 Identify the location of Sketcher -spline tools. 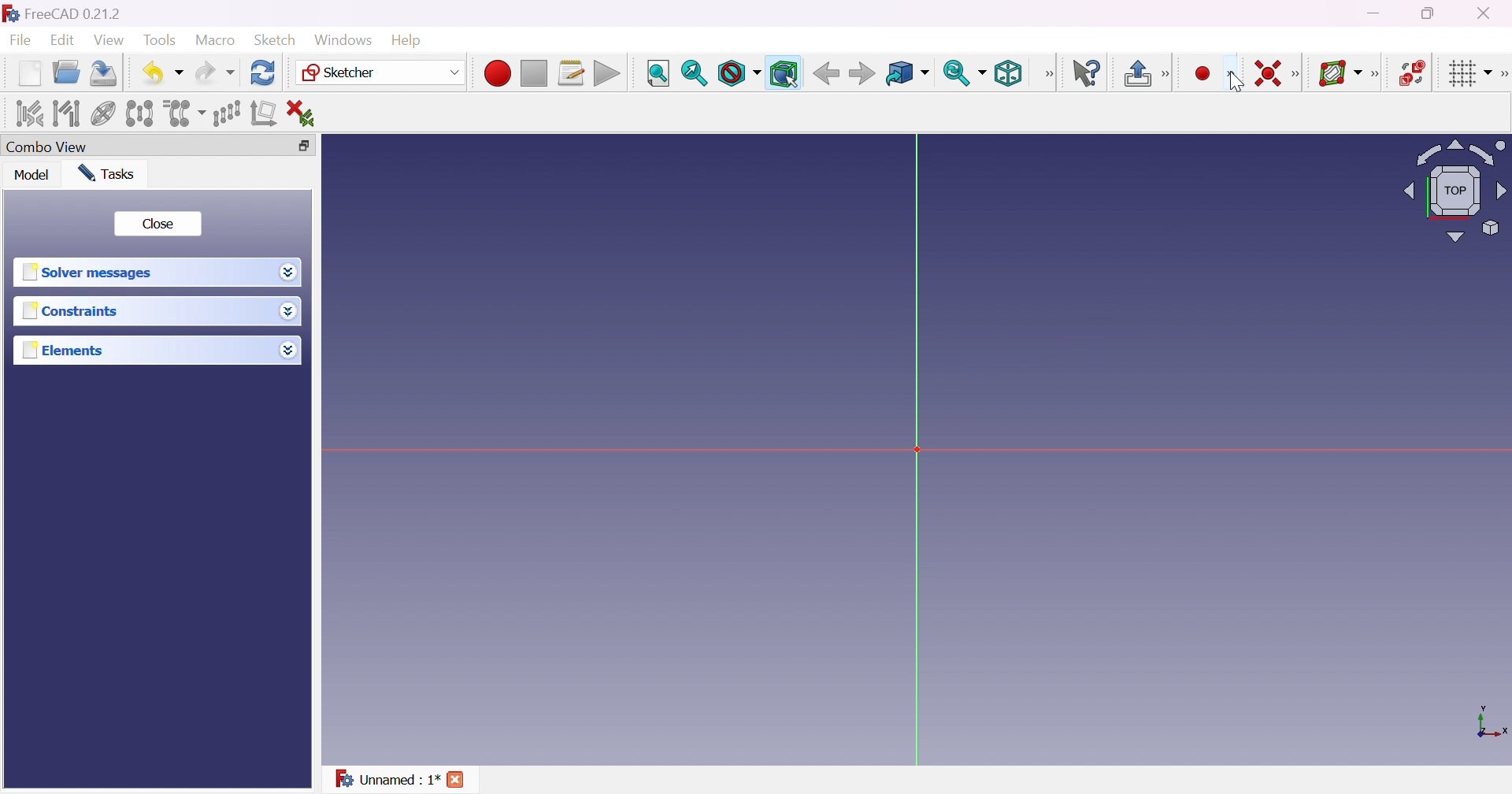
(1377, 75).